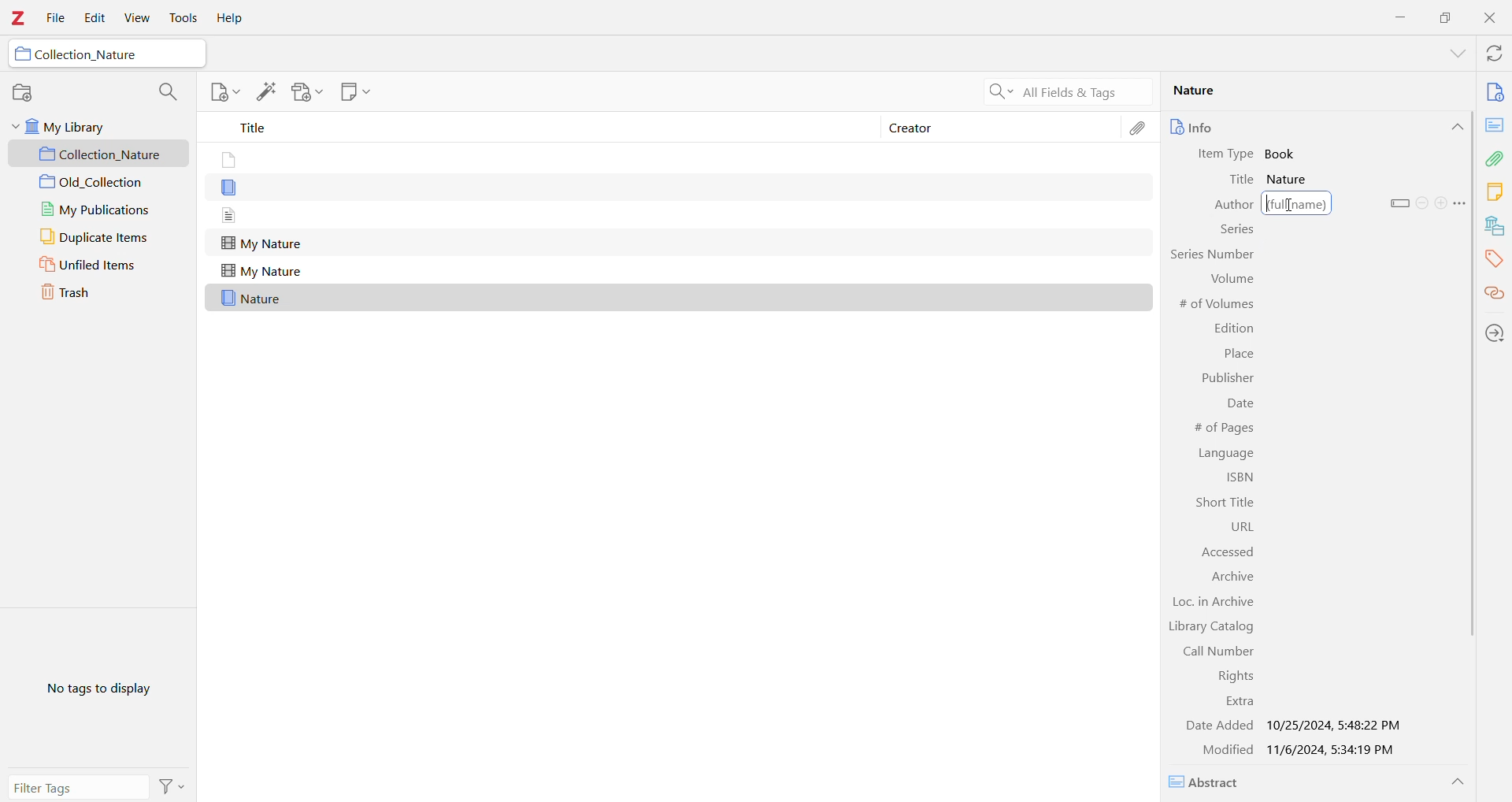  Describe the element at coordinates (1216, 603) in the screenshot. I see `Loc. in Archive` at that location.